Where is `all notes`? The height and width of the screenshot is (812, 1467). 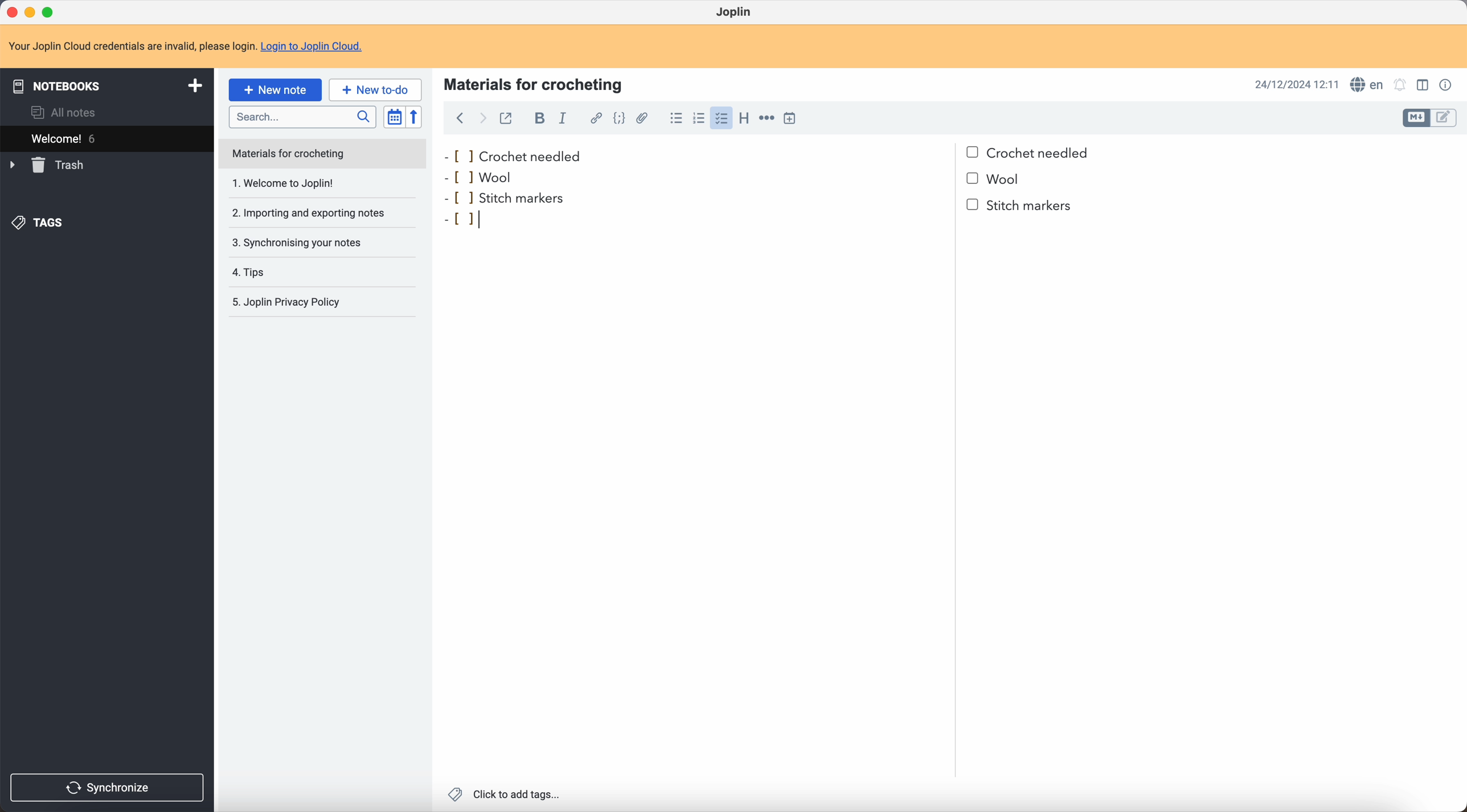 all notes is located at coordinates (67, 112).